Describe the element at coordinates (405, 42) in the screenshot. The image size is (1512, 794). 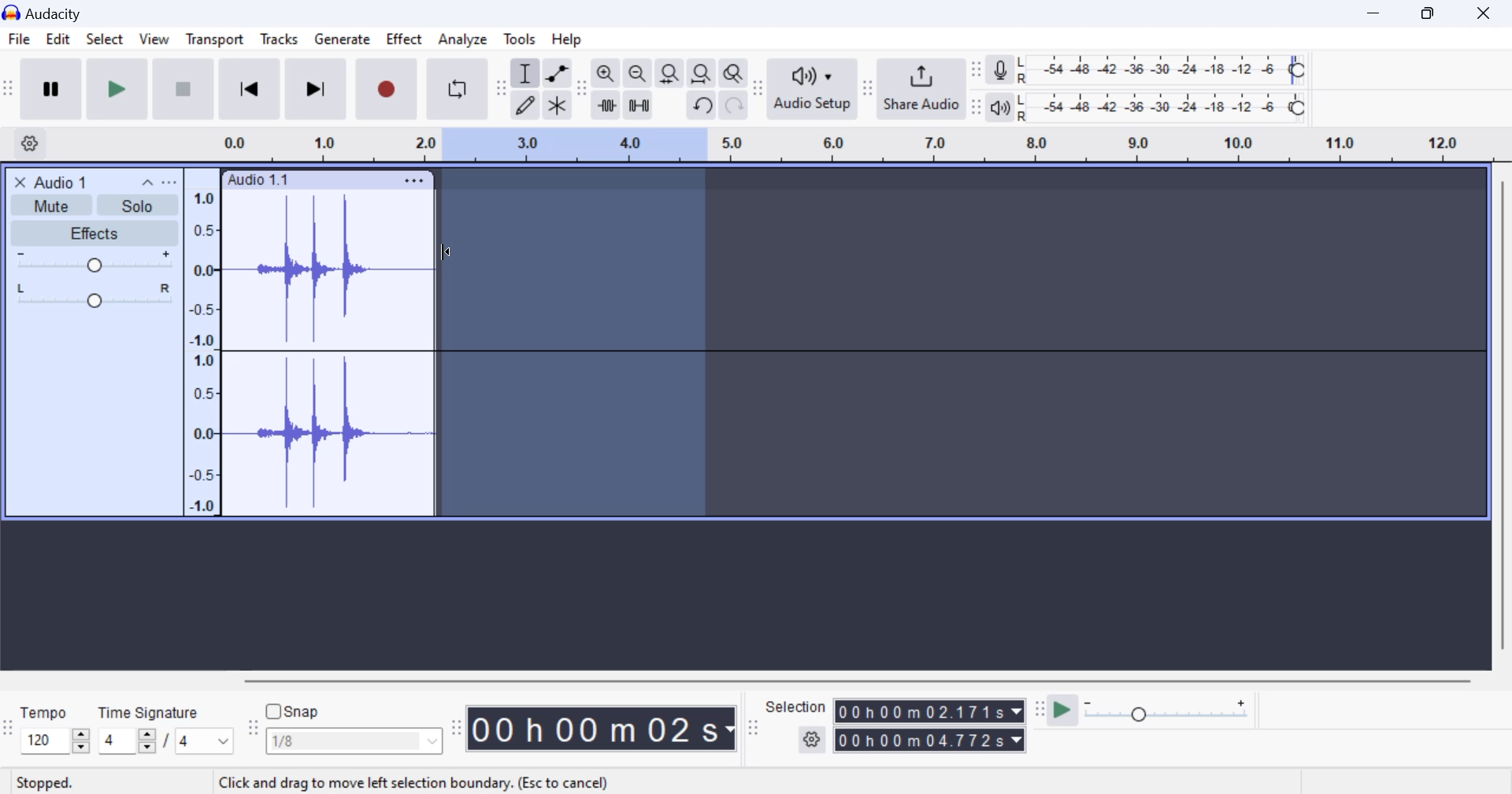
I see `Effect` at that location.